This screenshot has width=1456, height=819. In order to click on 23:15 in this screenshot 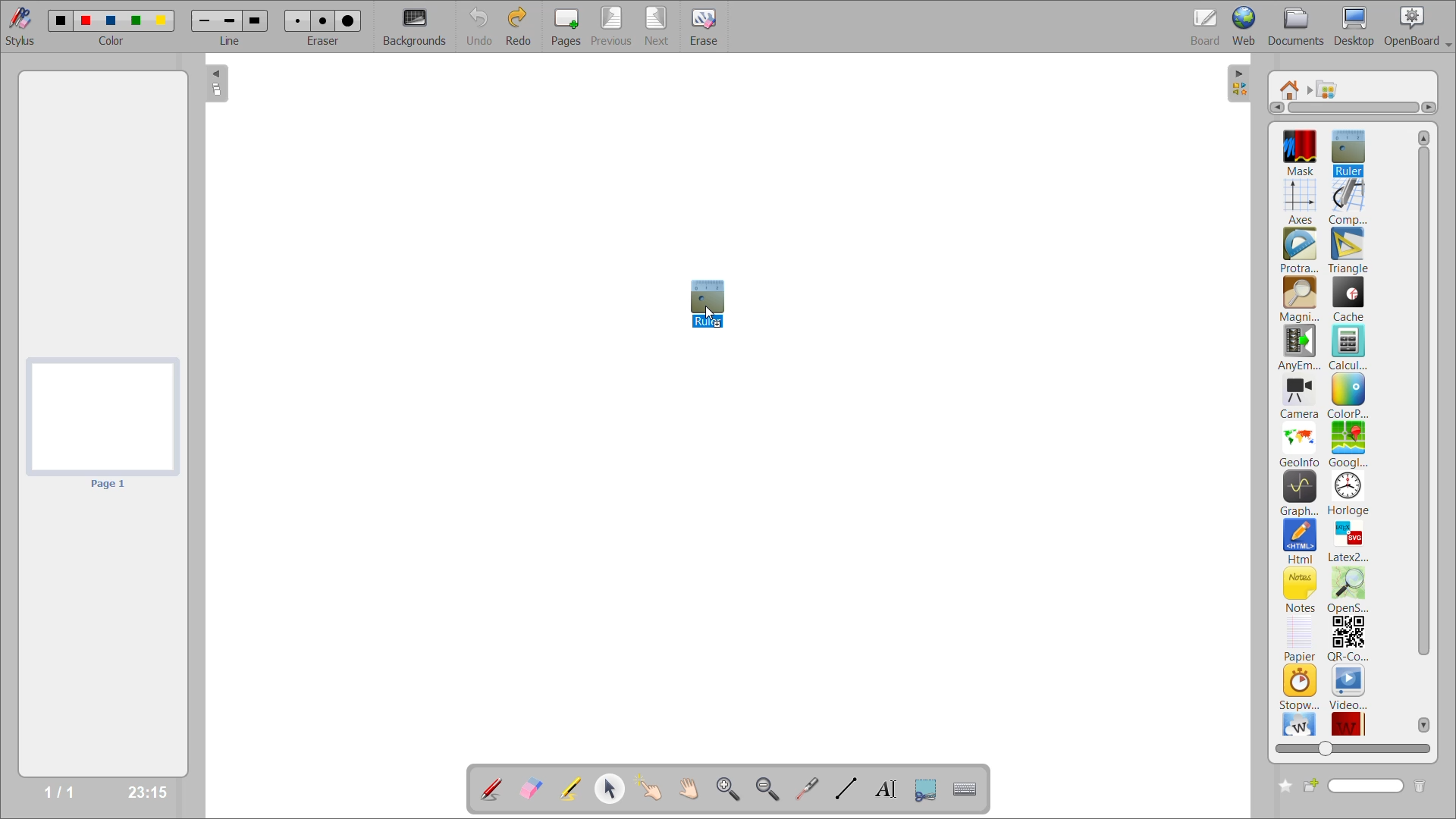, I will do `click(146, 791)`.